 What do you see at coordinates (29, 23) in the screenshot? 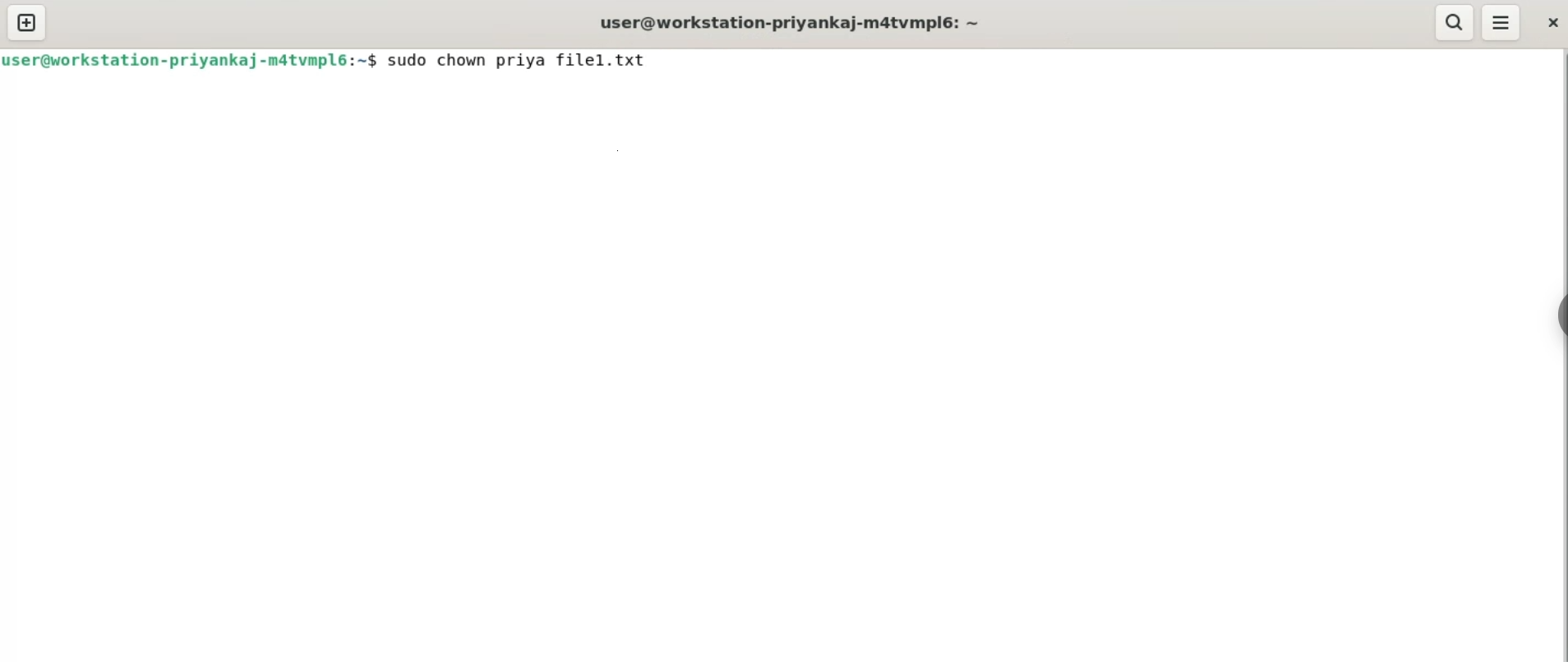
I see `new tab` at bounding box center [29, 23].